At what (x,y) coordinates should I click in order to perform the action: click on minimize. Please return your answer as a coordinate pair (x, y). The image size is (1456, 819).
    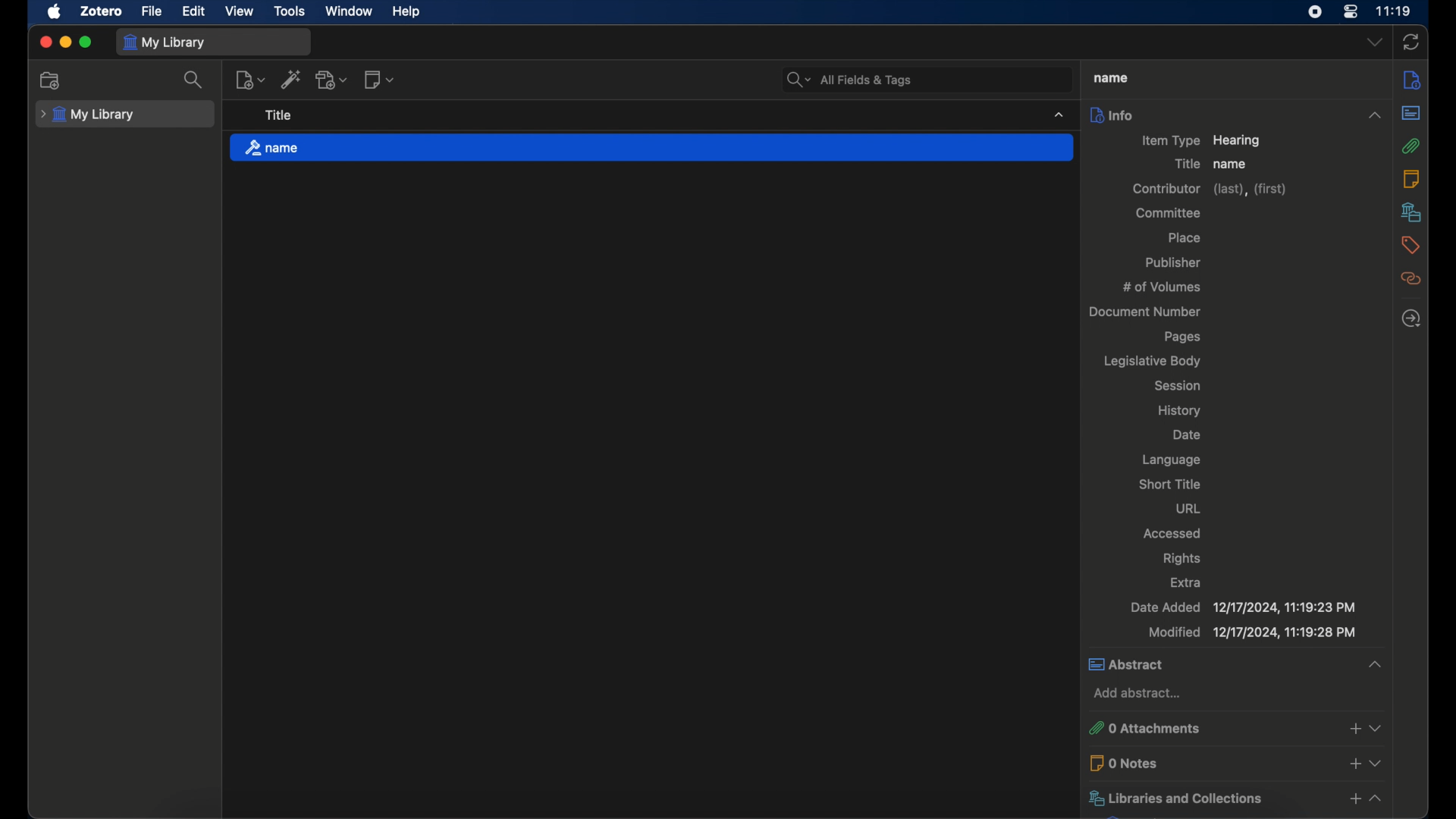
    Looking at the image, I should click on (65, 42).